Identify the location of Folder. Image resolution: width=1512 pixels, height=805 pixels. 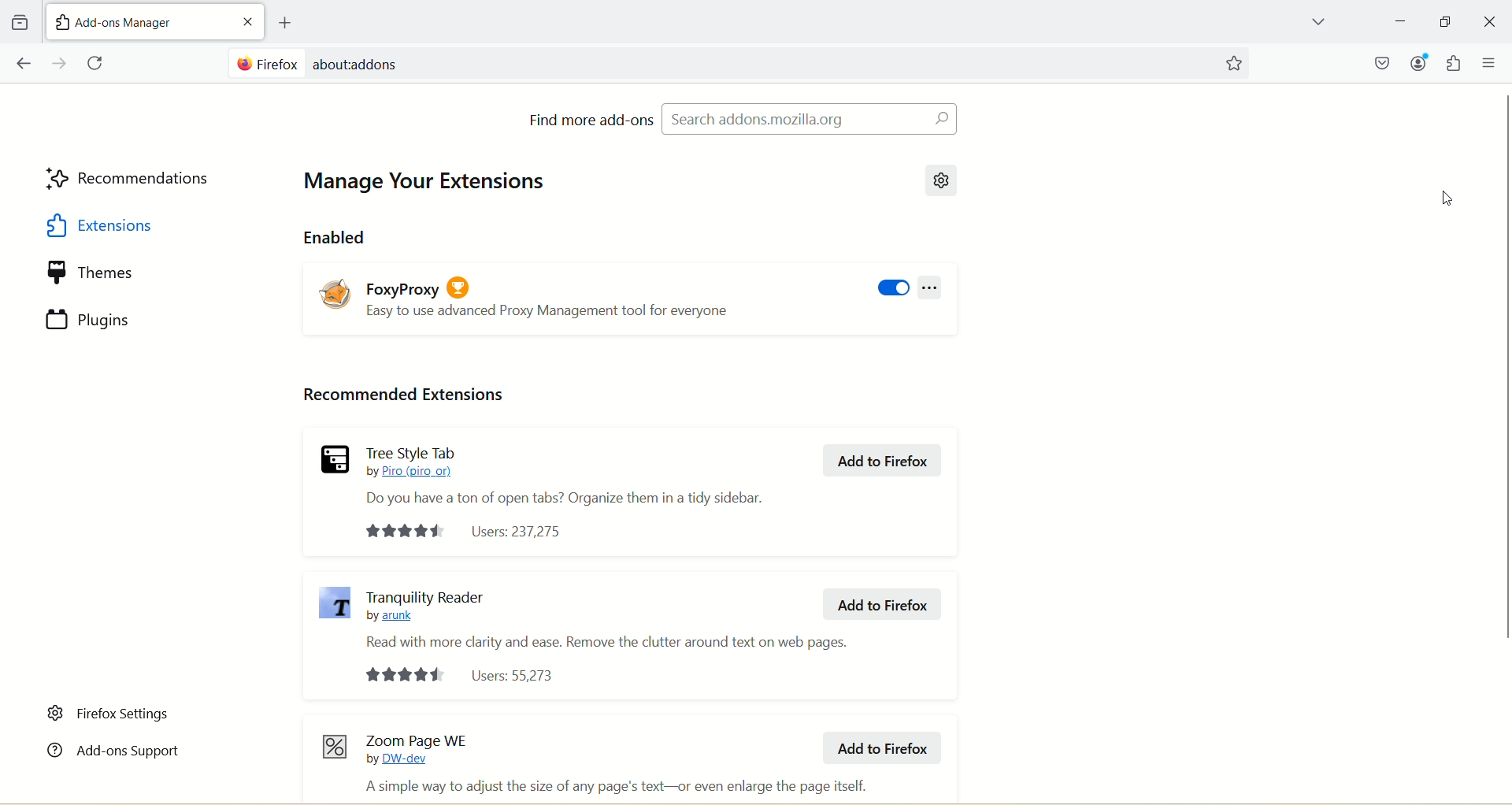
(19, 23).